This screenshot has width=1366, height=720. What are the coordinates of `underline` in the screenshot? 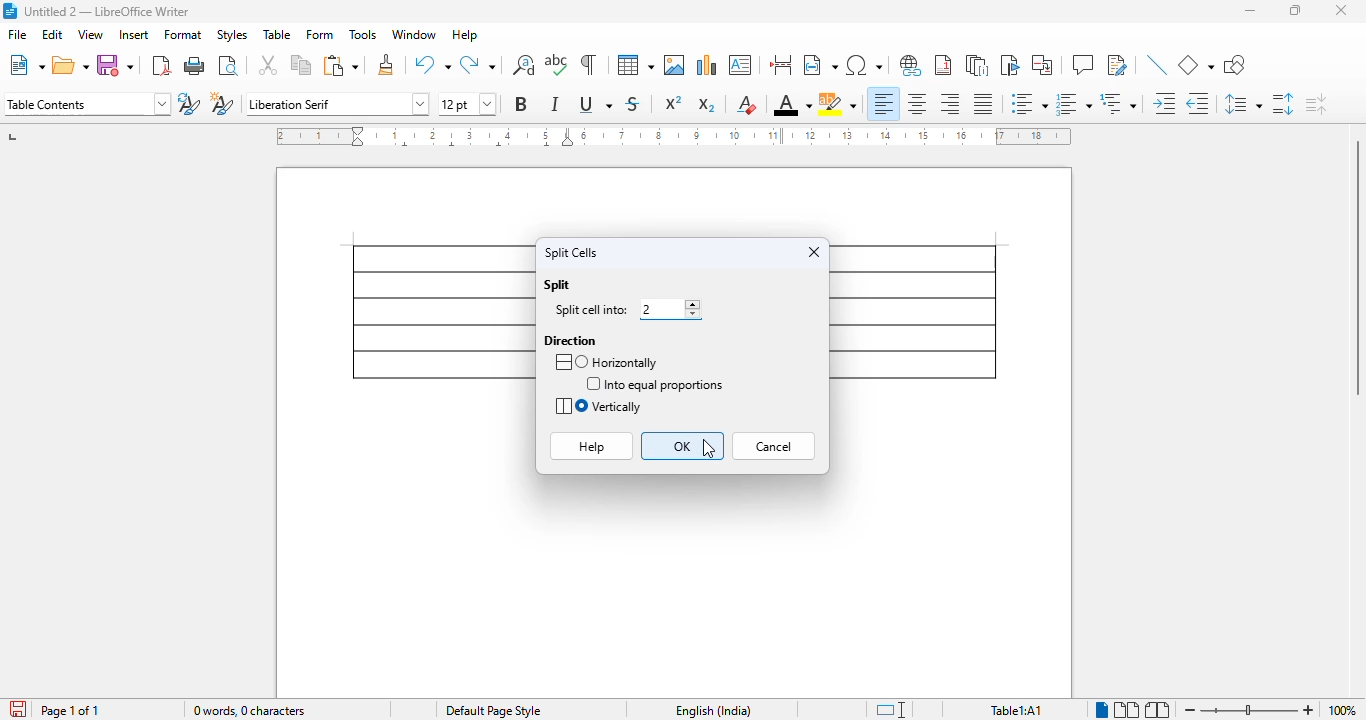 It's located at (595, 104).